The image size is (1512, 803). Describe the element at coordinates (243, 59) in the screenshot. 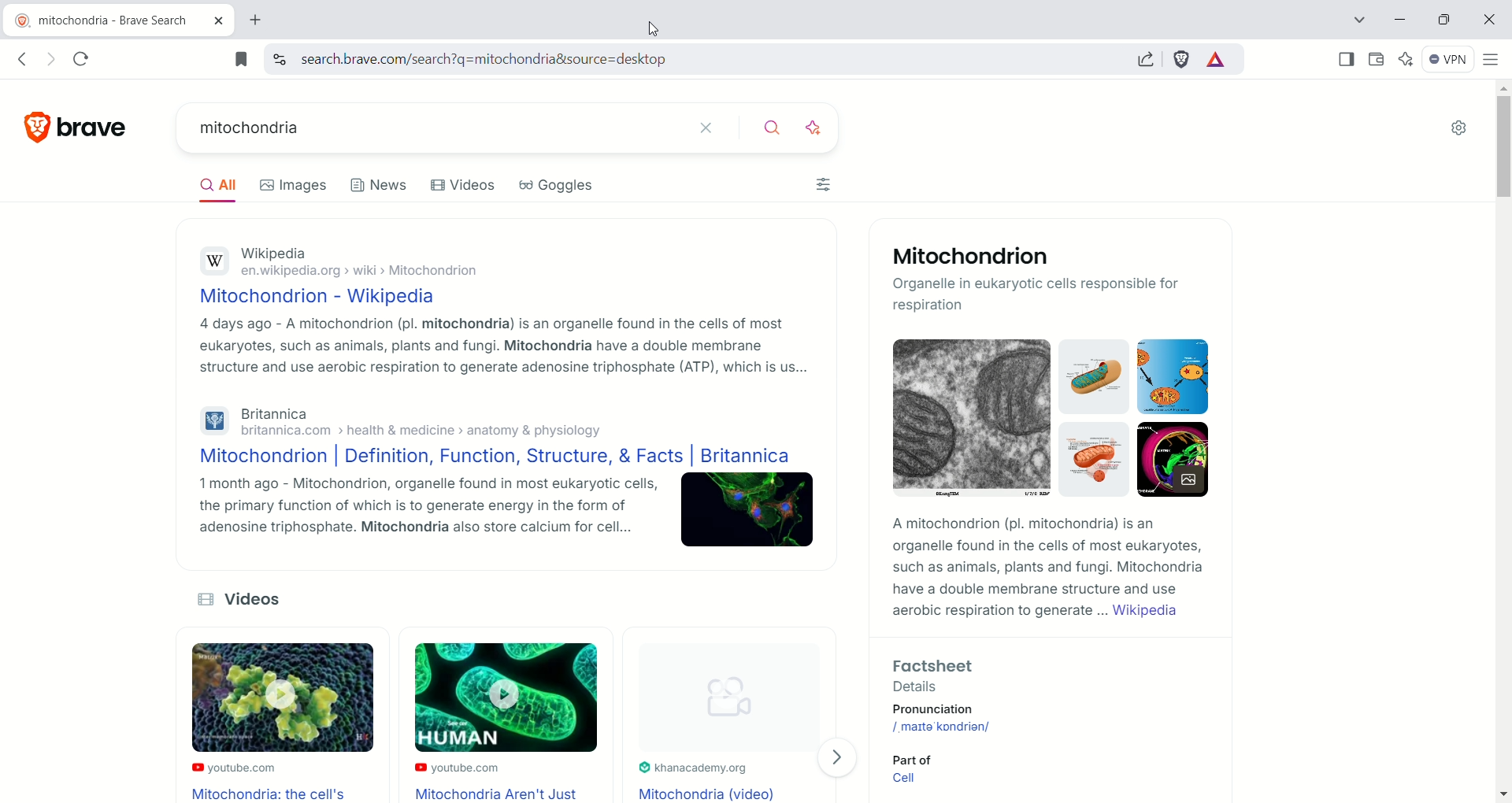

I see `bookmark` at that location.